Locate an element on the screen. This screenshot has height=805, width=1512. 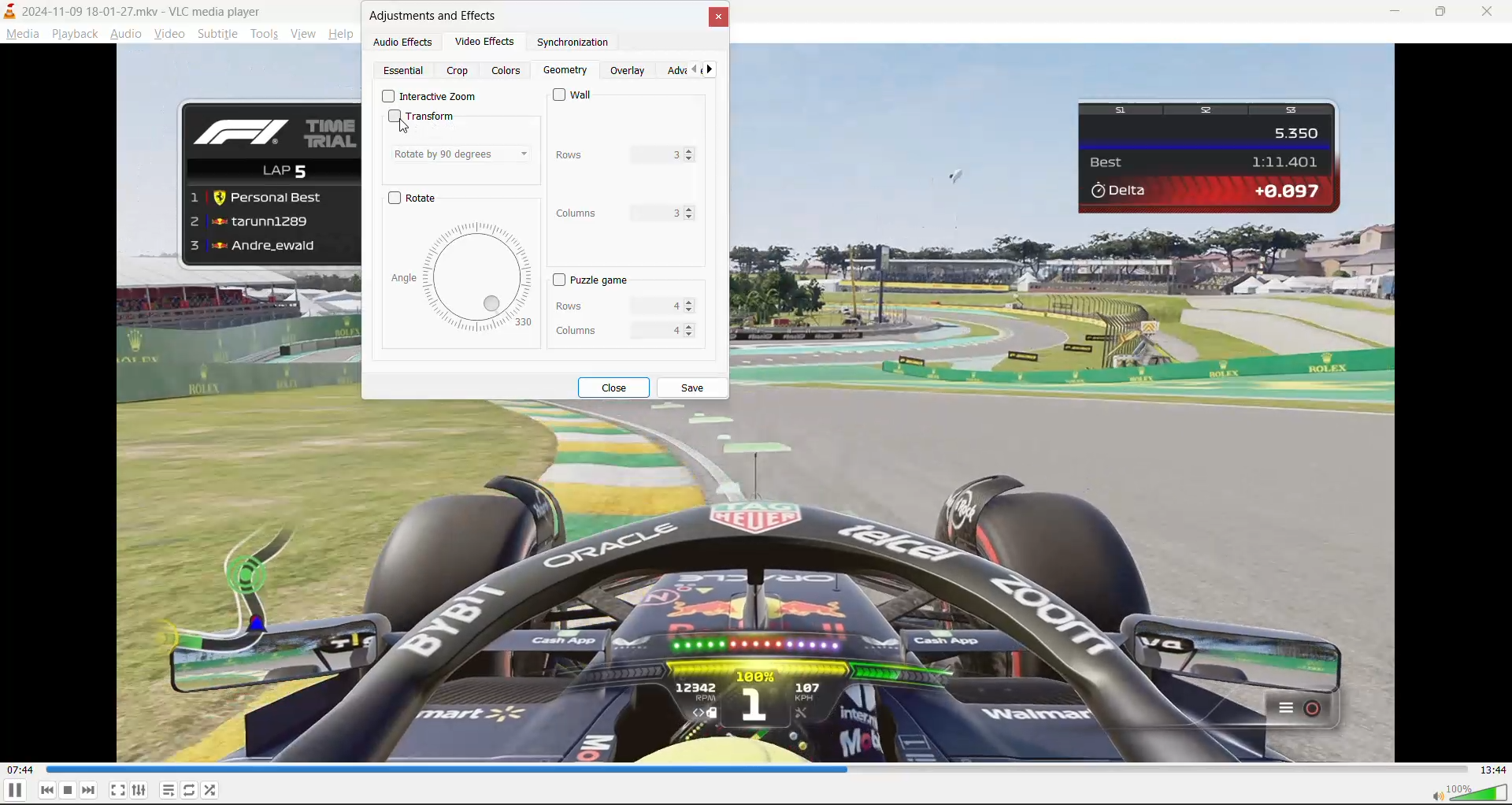
overlay is located at coordinates (628, 69).